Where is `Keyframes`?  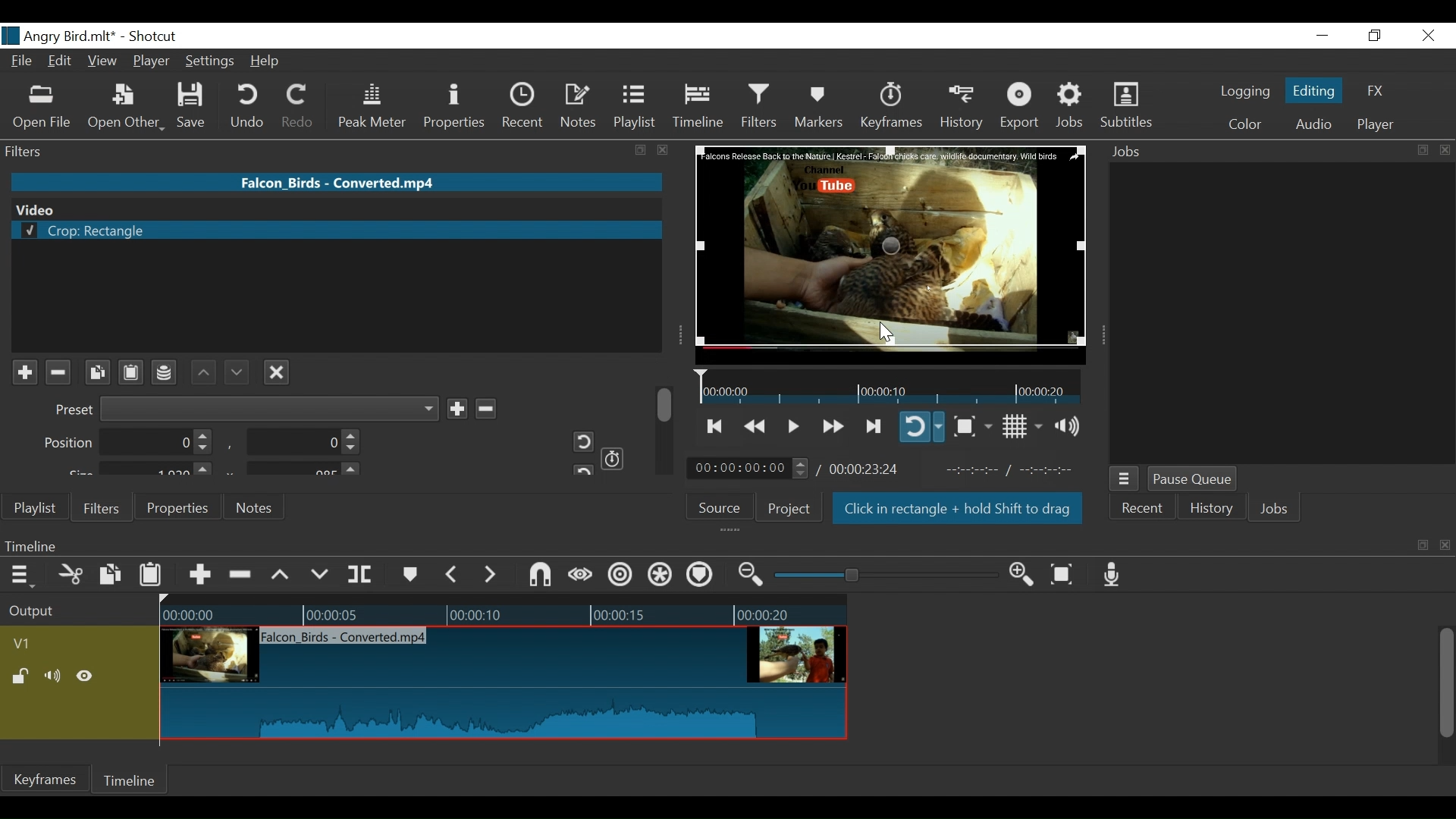 Keyframes is located at coordinates (890, 106).